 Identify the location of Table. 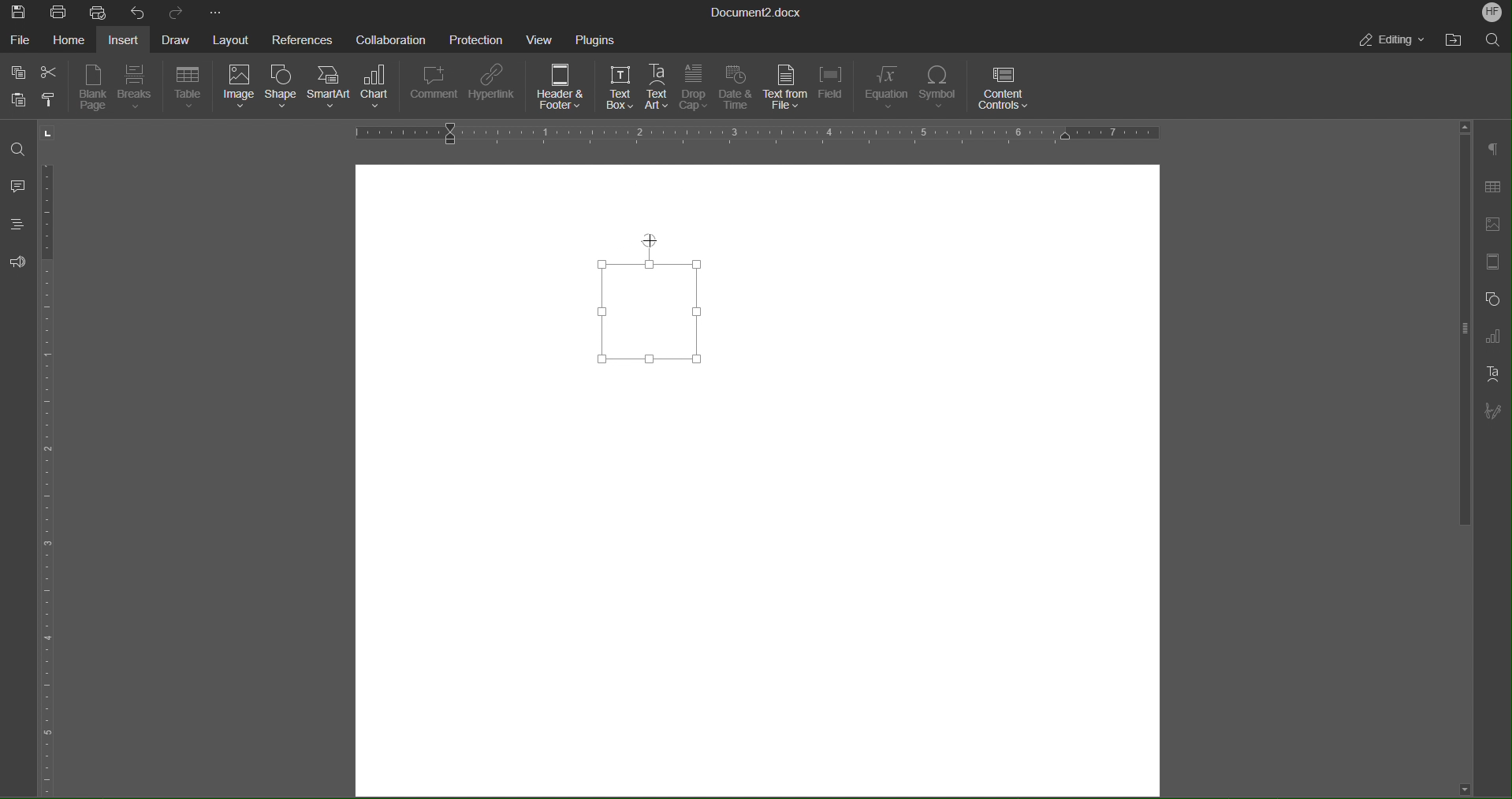
(1492, 188).